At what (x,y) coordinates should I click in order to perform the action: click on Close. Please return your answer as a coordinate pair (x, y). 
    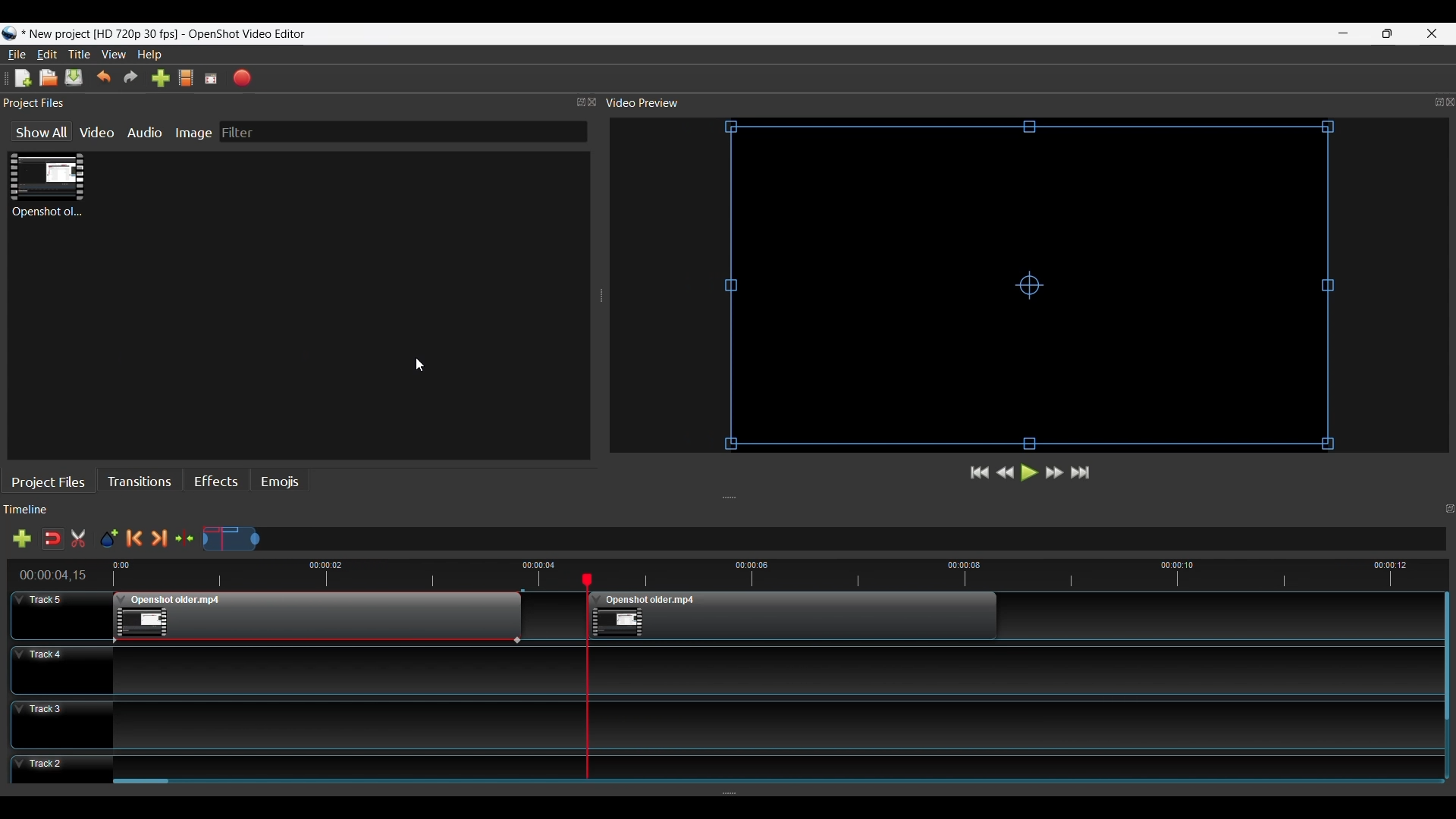
    Looking at the image, I should click on (1430, 33).